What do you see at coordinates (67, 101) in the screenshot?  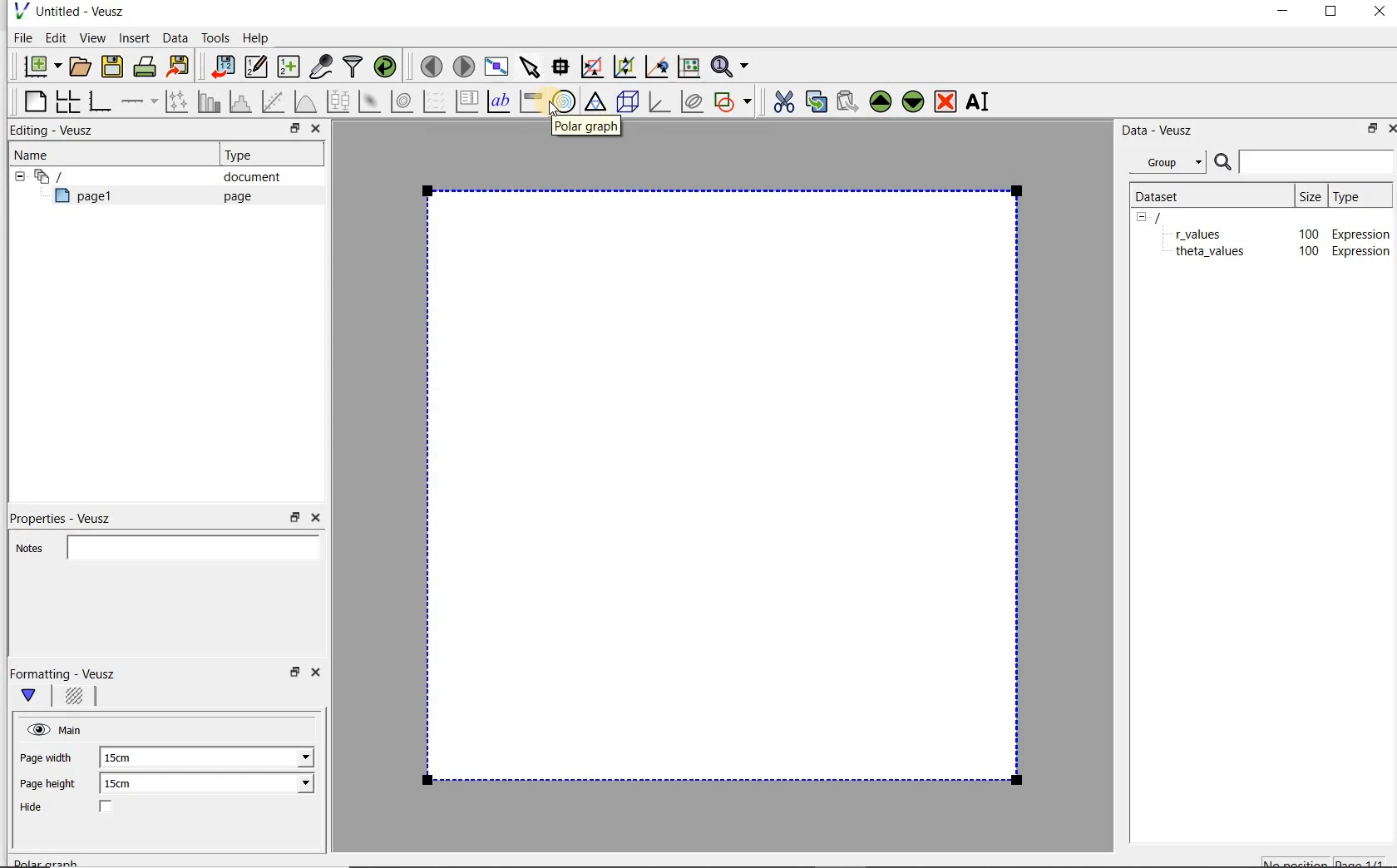 I see `arrange graphs in a grid` at bounding box center [67, 101].